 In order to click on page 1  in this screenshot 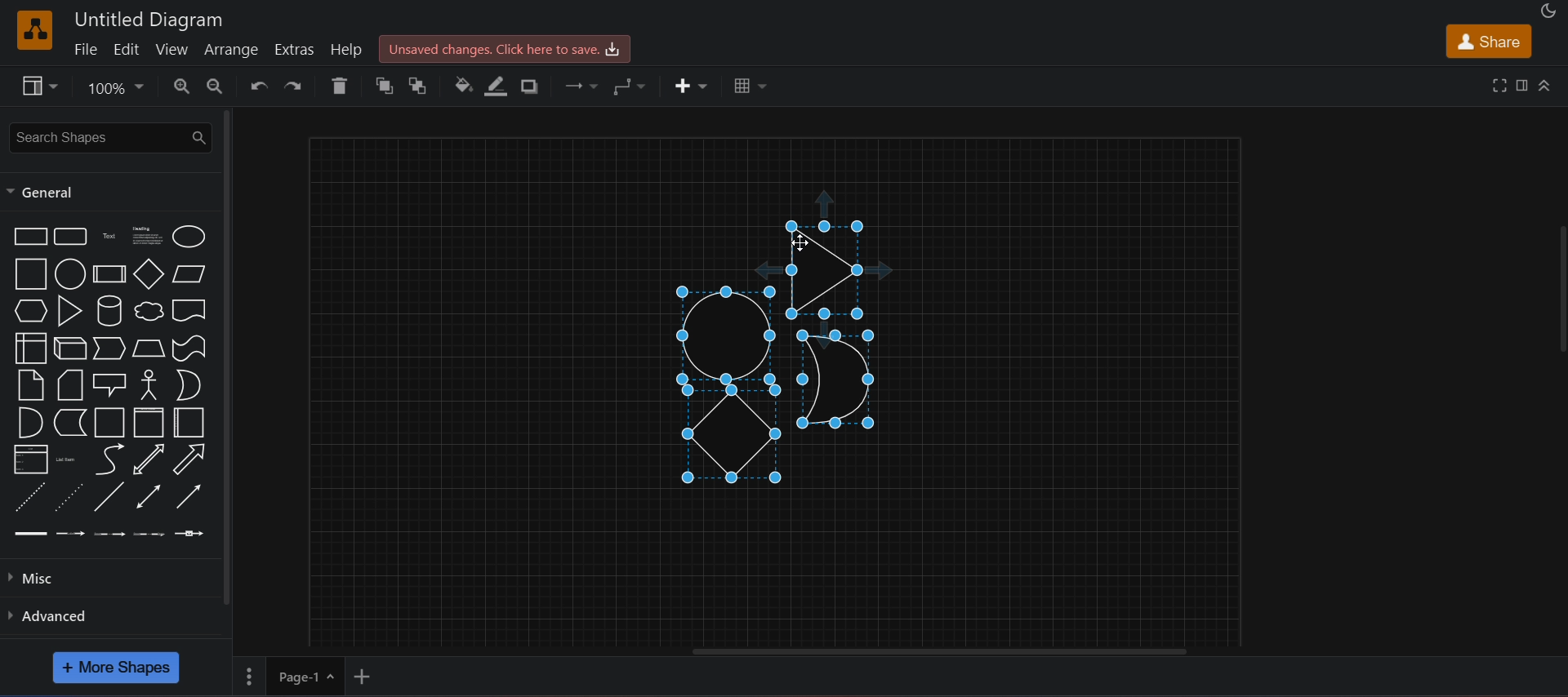, I will do `click(287, 674)`.